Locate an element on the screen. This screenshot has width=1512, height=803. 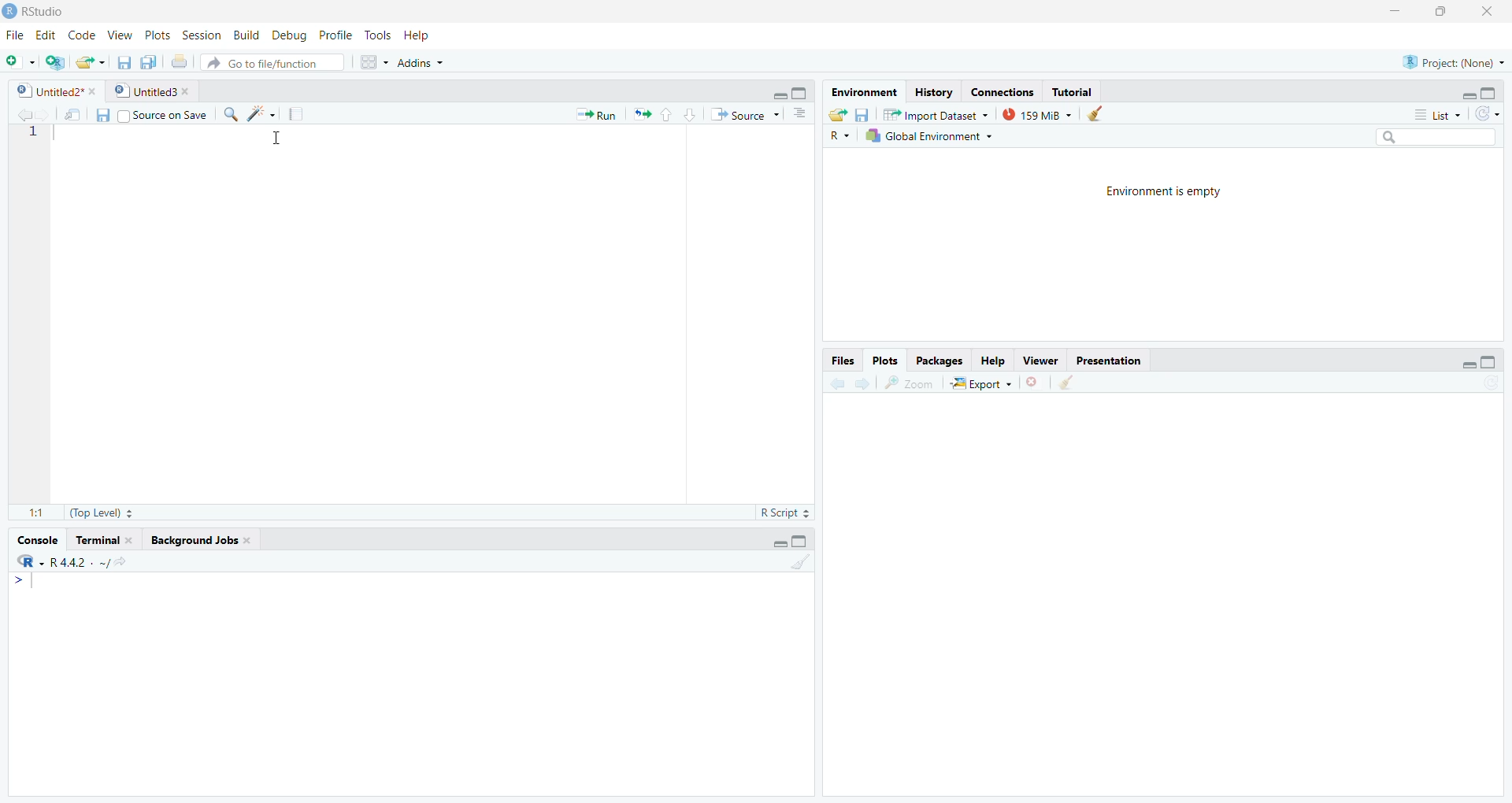
Environment is located at coordinates (864, 92).